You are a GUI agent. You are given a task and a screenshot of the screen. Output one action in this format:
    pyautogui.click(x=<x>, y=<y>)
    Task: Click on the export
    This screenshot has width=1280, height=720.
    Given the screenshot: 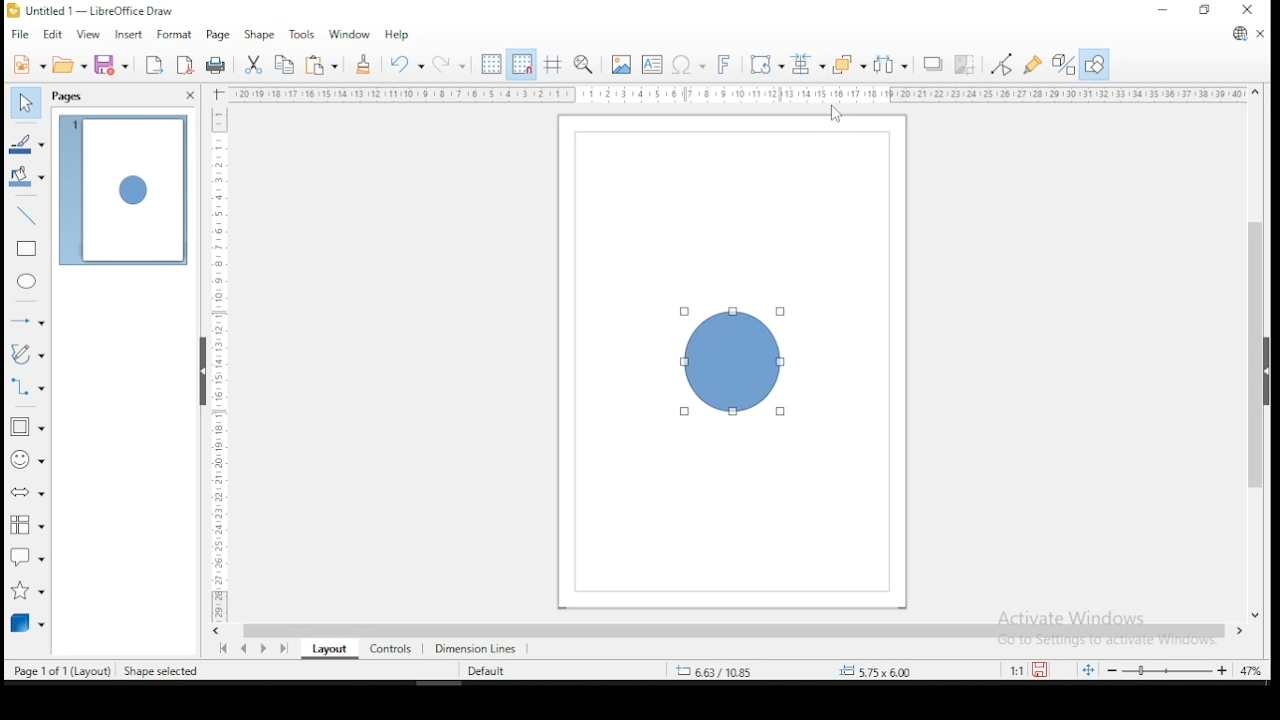 What is the action you would take?
    pyautogui.click(x=152, y=65)
    